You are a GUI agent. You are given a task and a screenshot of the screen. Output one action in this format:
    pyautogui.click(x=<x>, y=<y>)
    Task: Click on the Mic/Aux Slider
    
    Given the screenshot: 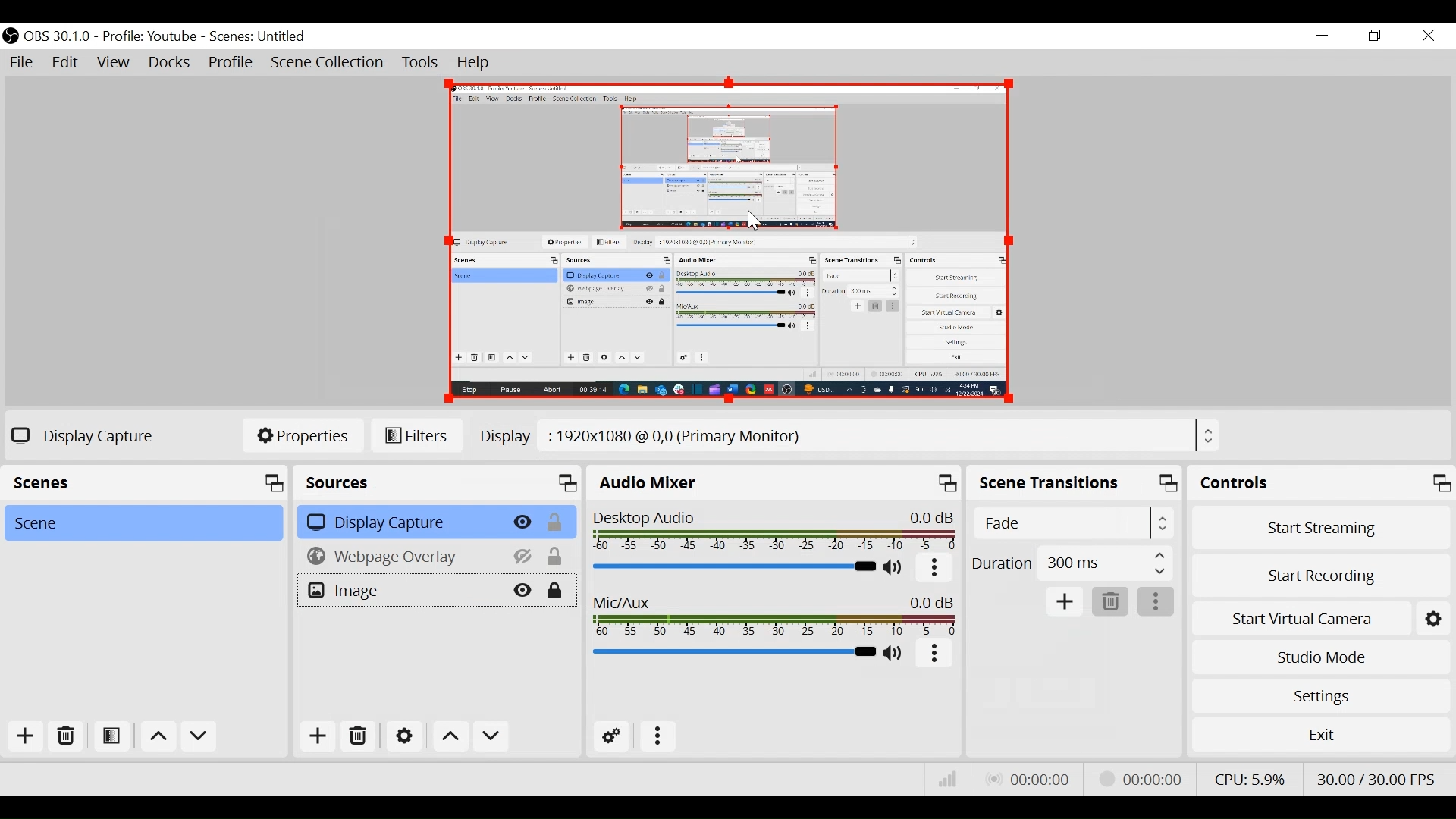 What is the action you would take?
    pyautogui.click(x=732, y=651)
    